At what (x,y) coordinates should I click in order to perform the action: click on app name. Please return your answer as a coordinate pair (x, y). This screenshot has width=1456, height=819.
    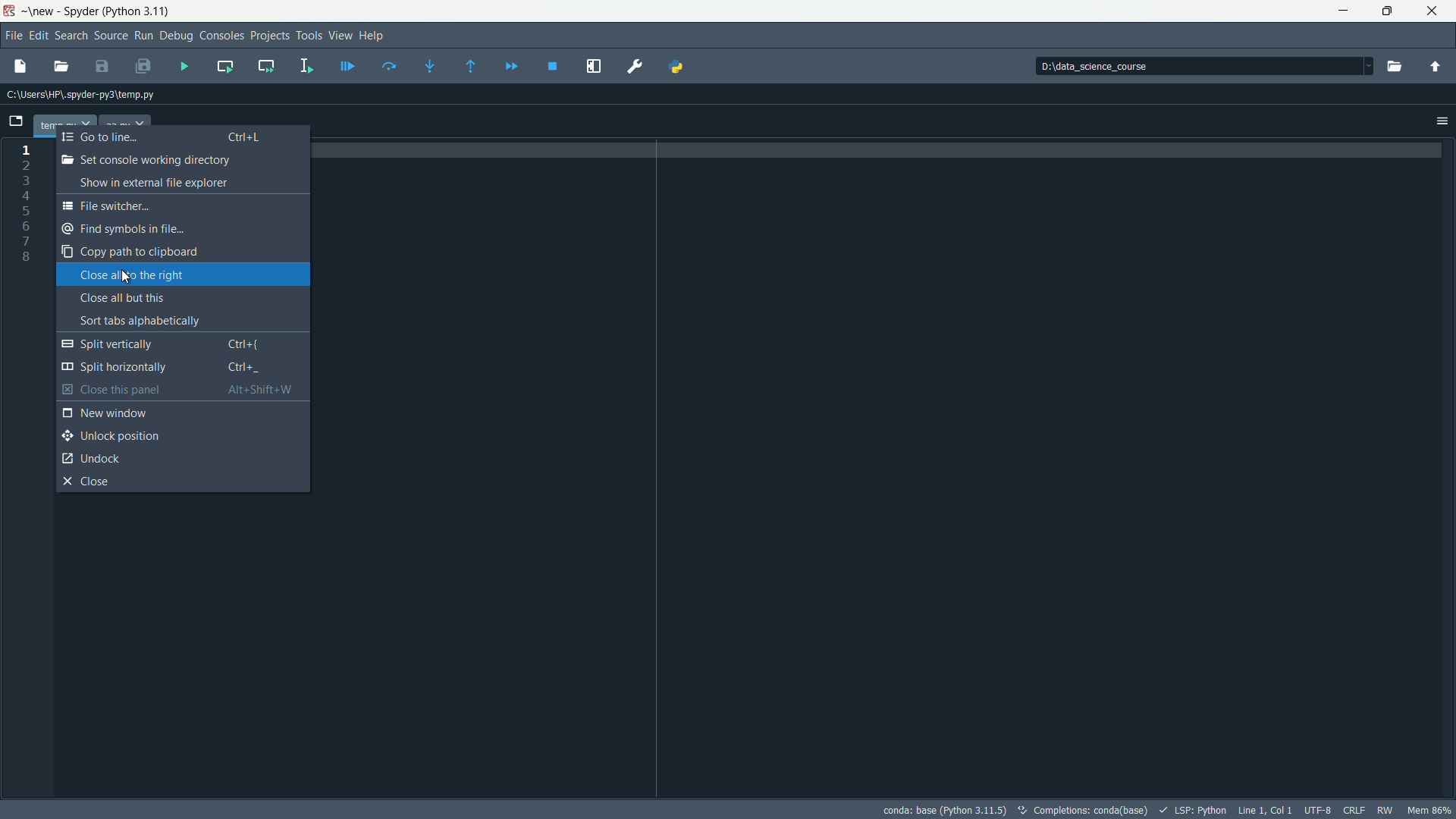
    Looking at the image, I should click on (112, 11).